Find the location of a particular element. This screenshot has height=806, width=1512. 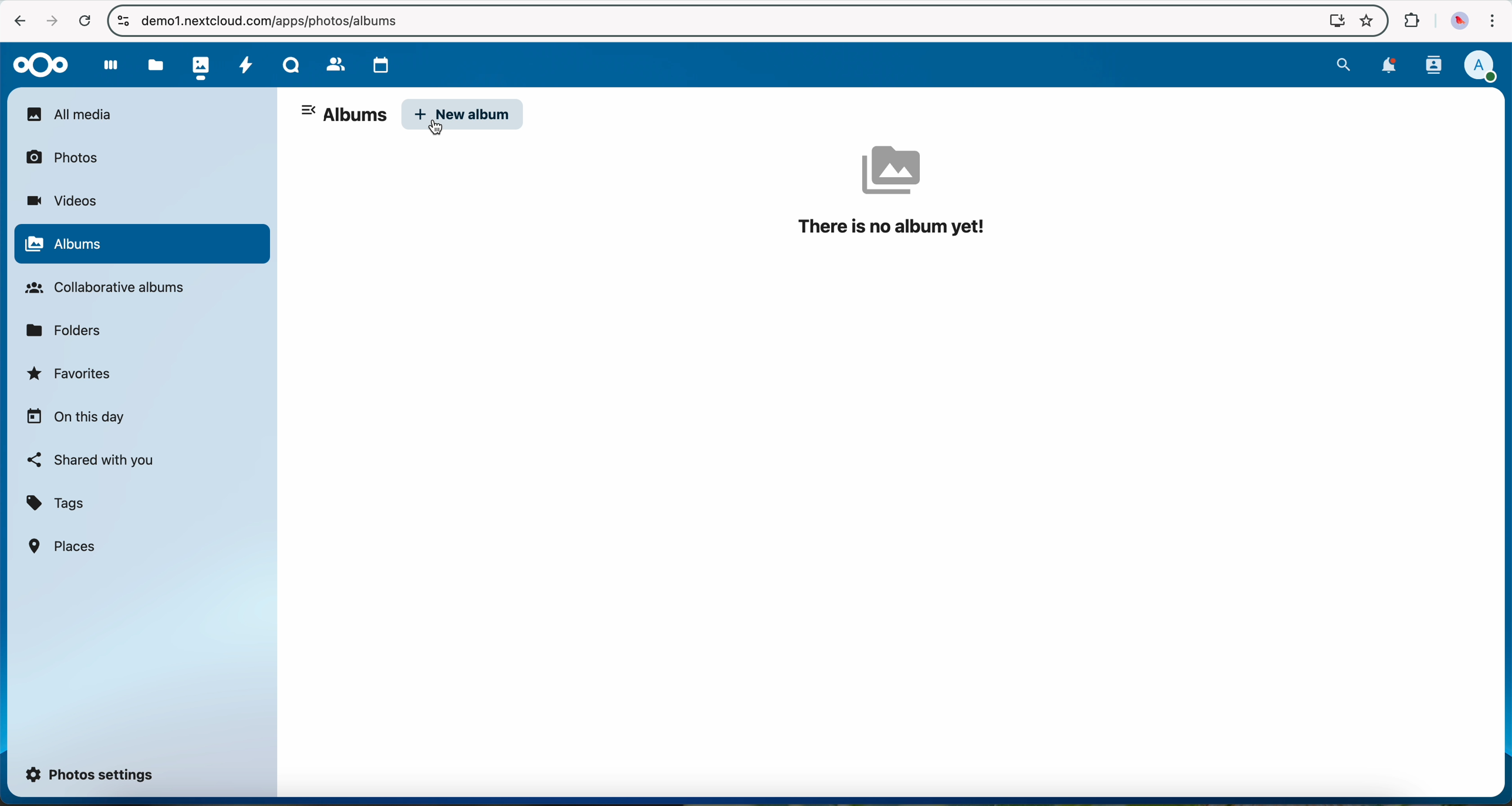

screen is located at coordinates (1331, 20).